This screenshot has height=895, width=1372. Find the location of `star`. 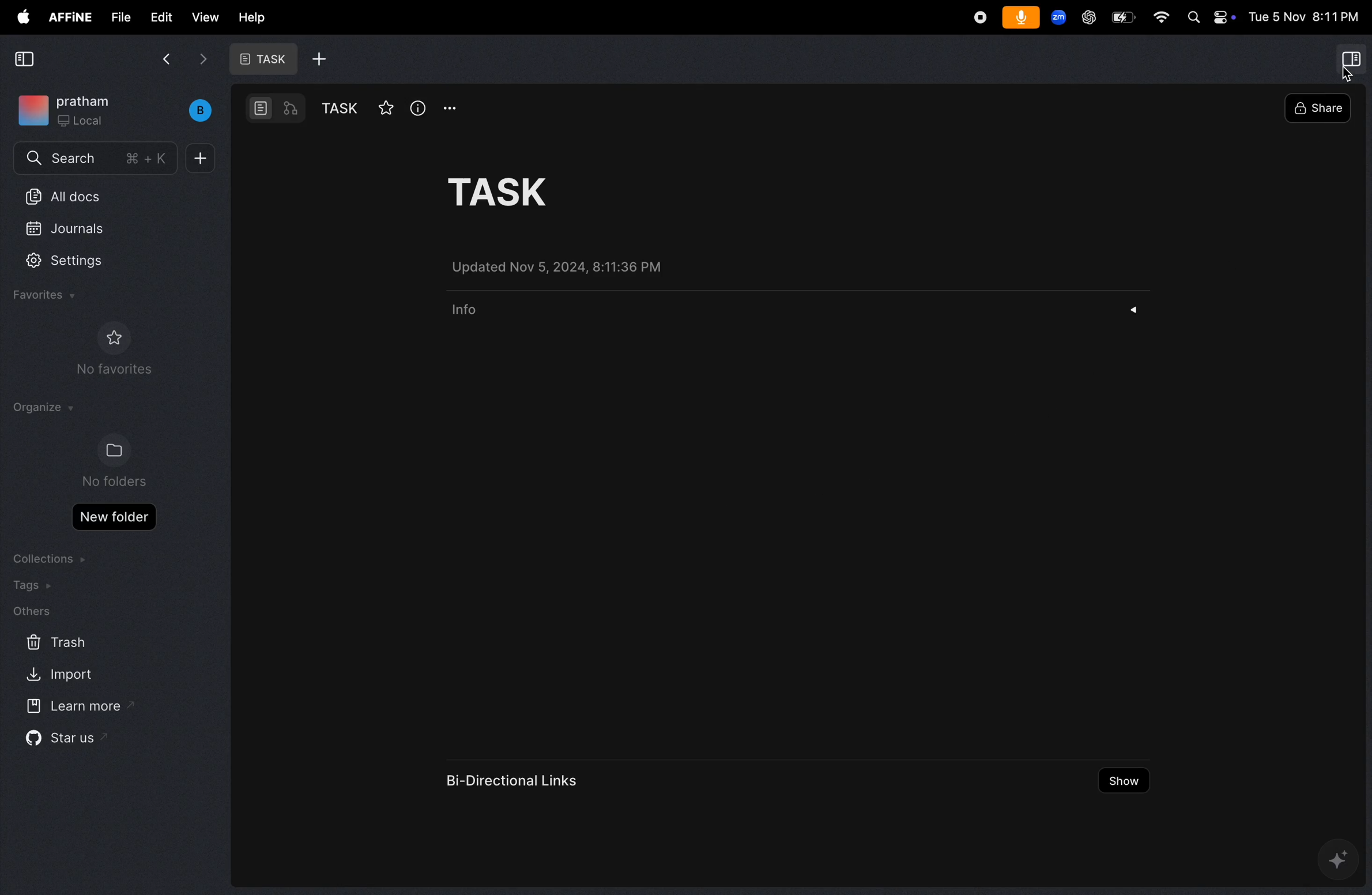

star is located at coordinates (385, 107).